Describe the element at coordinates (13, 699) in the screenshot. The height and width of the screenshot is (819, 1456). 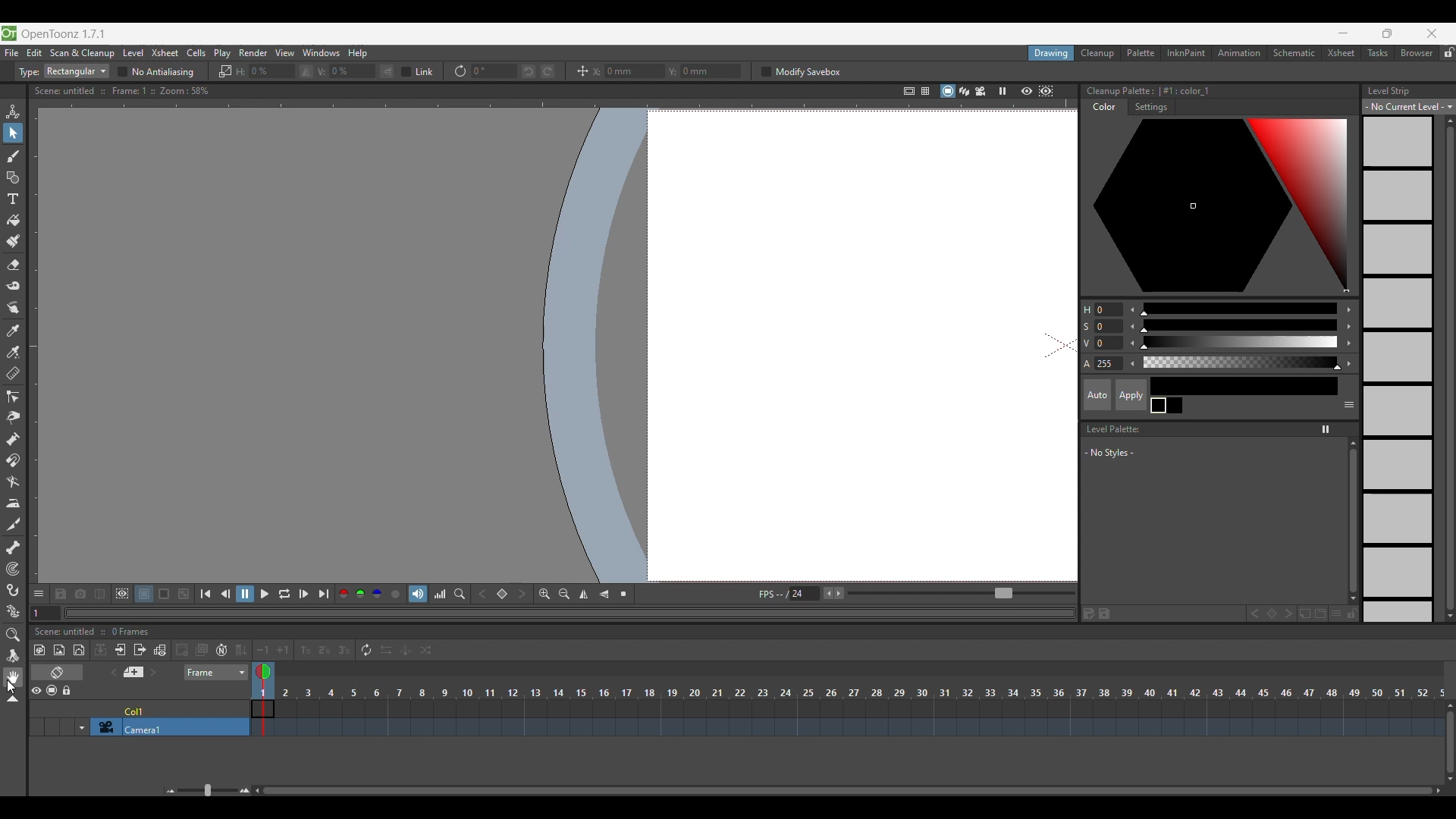
I see `Collapse toolbar` at that location.